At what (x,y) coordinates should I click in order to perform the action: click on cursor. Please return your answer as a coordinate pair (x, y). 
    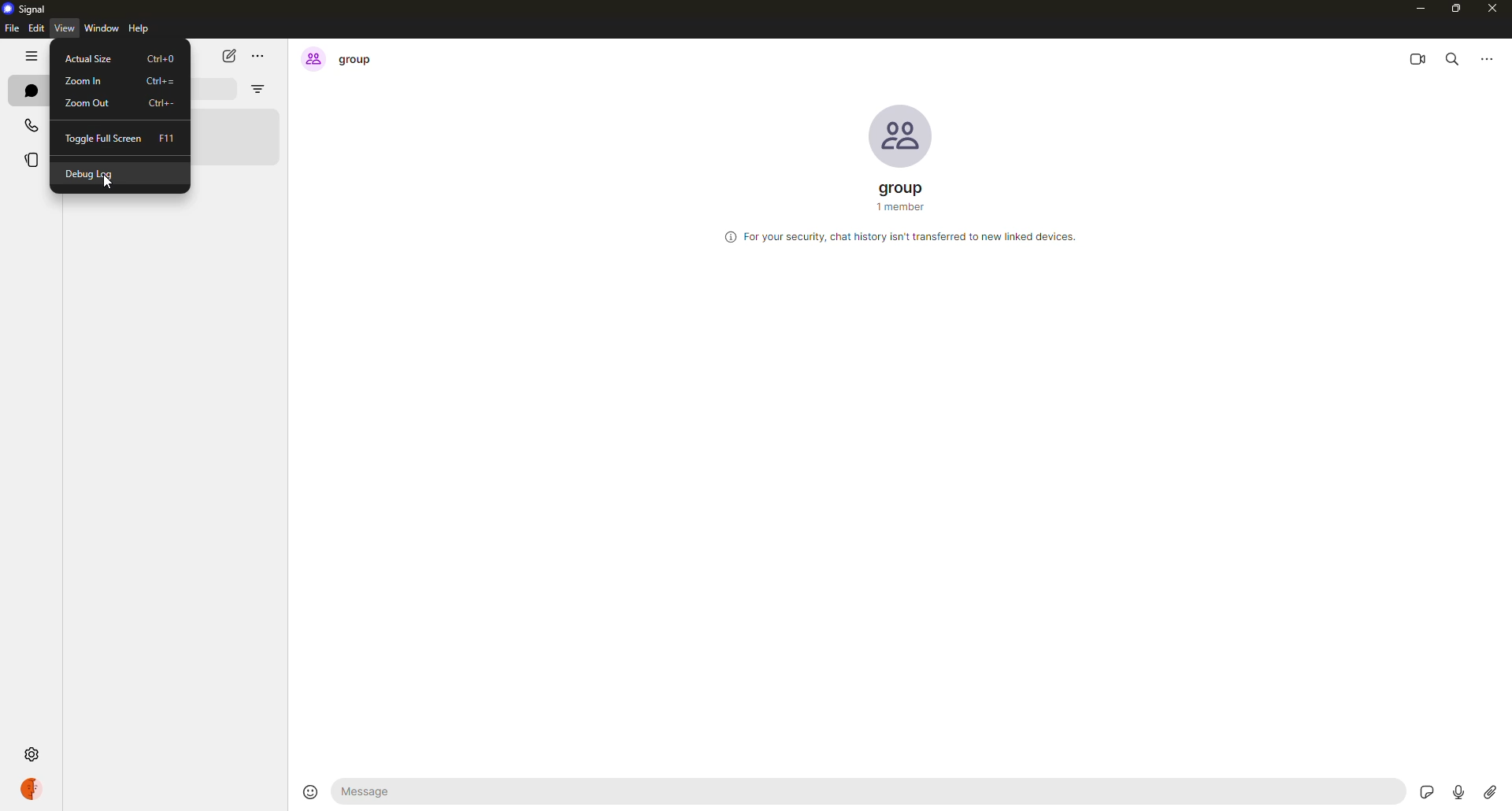
    Looking at the image, I should click on (107, 185).